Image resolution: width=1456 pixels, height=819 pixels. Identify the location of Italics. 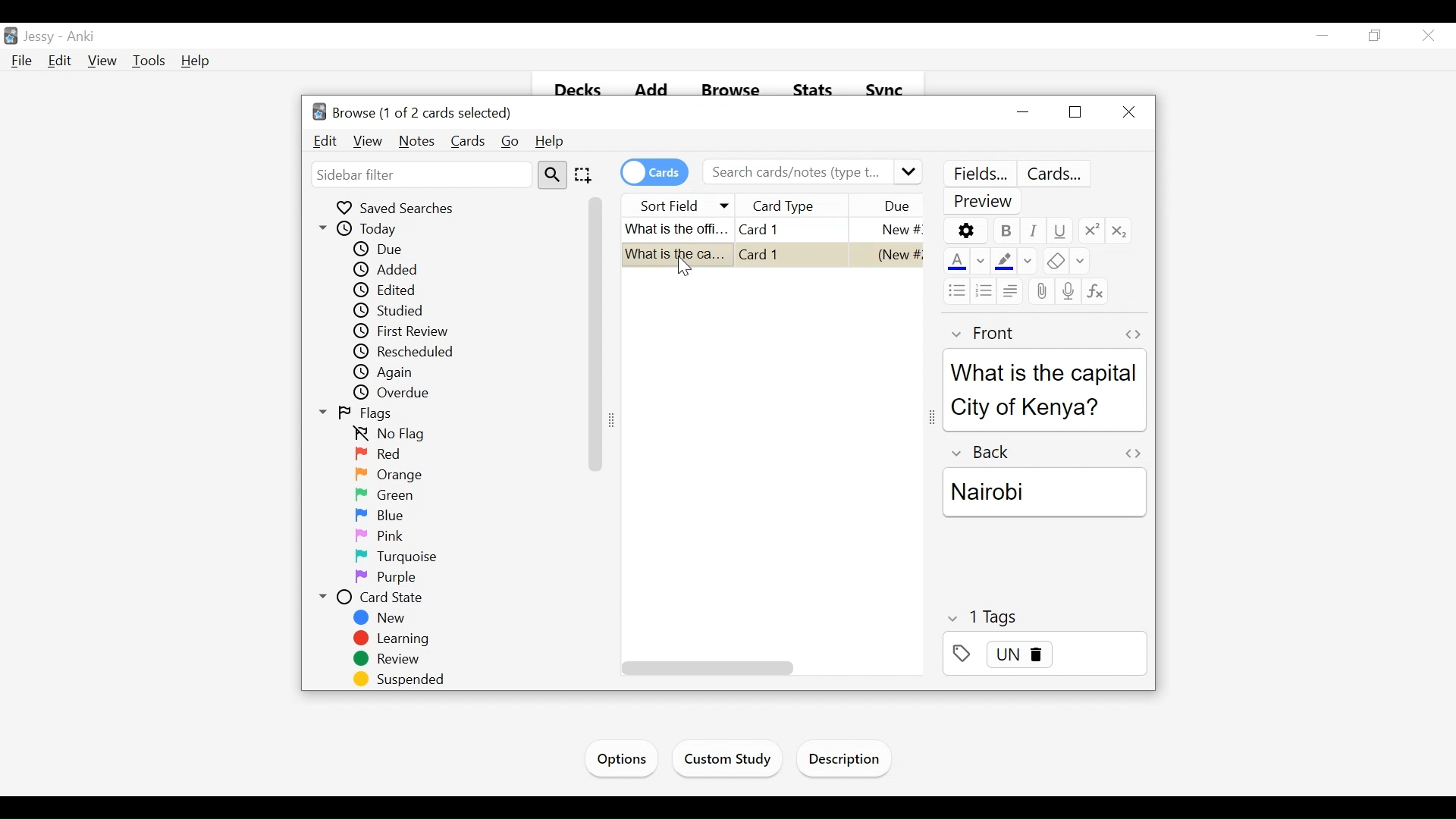
(1034, 231).